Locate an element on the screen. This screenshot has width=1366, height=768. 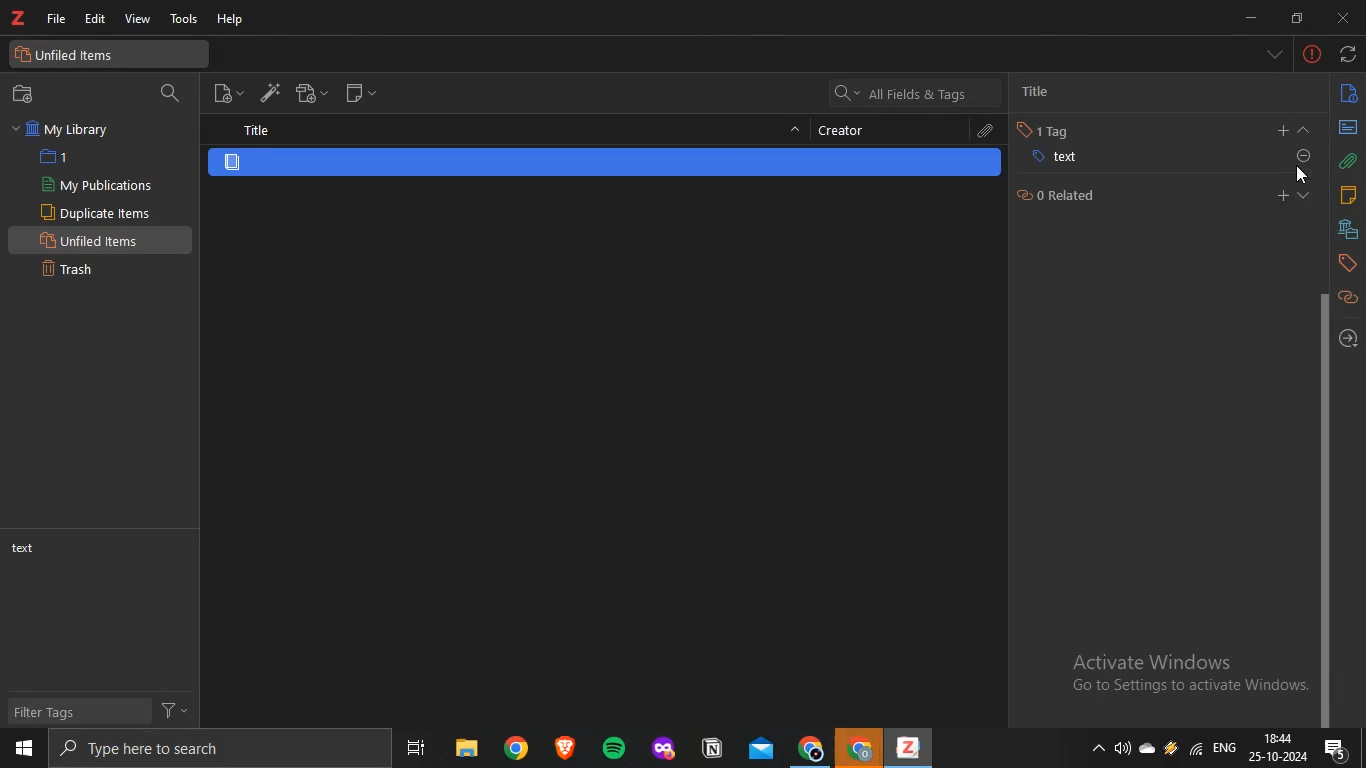
search is located at coordinates (211, 749).